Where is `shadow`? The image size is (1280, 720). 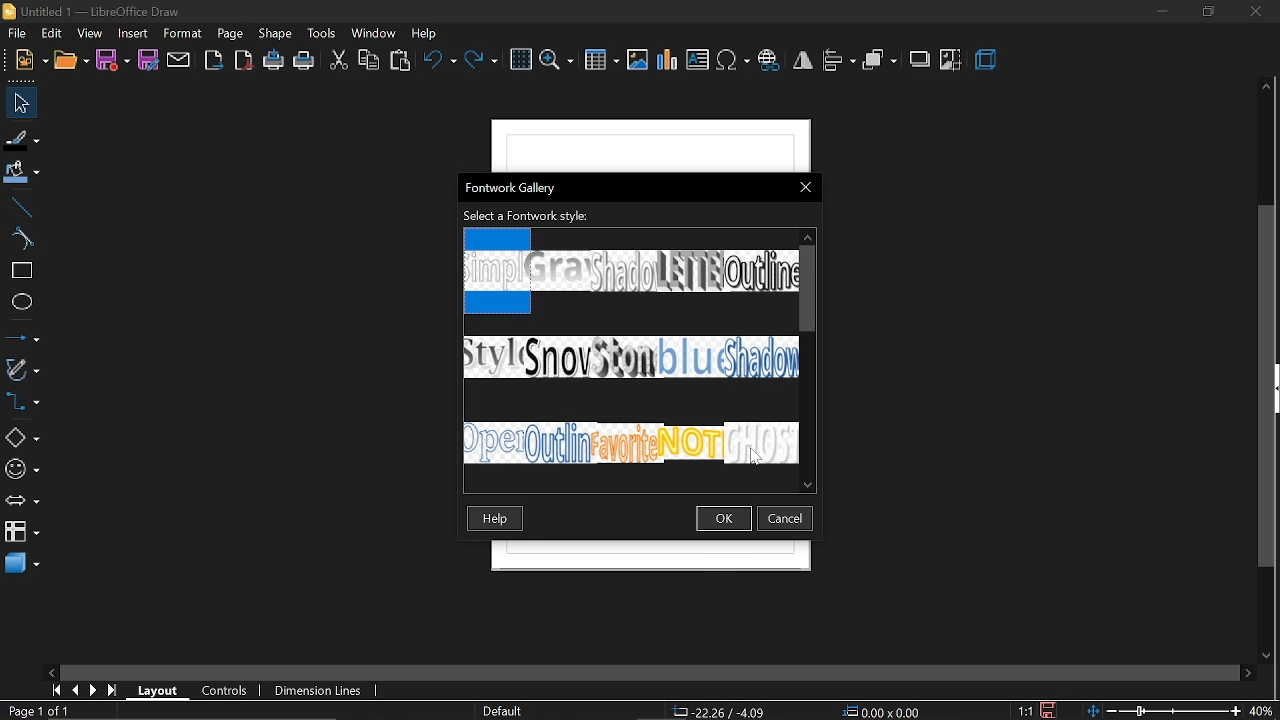
shadow is located at coordinates (919, 61).